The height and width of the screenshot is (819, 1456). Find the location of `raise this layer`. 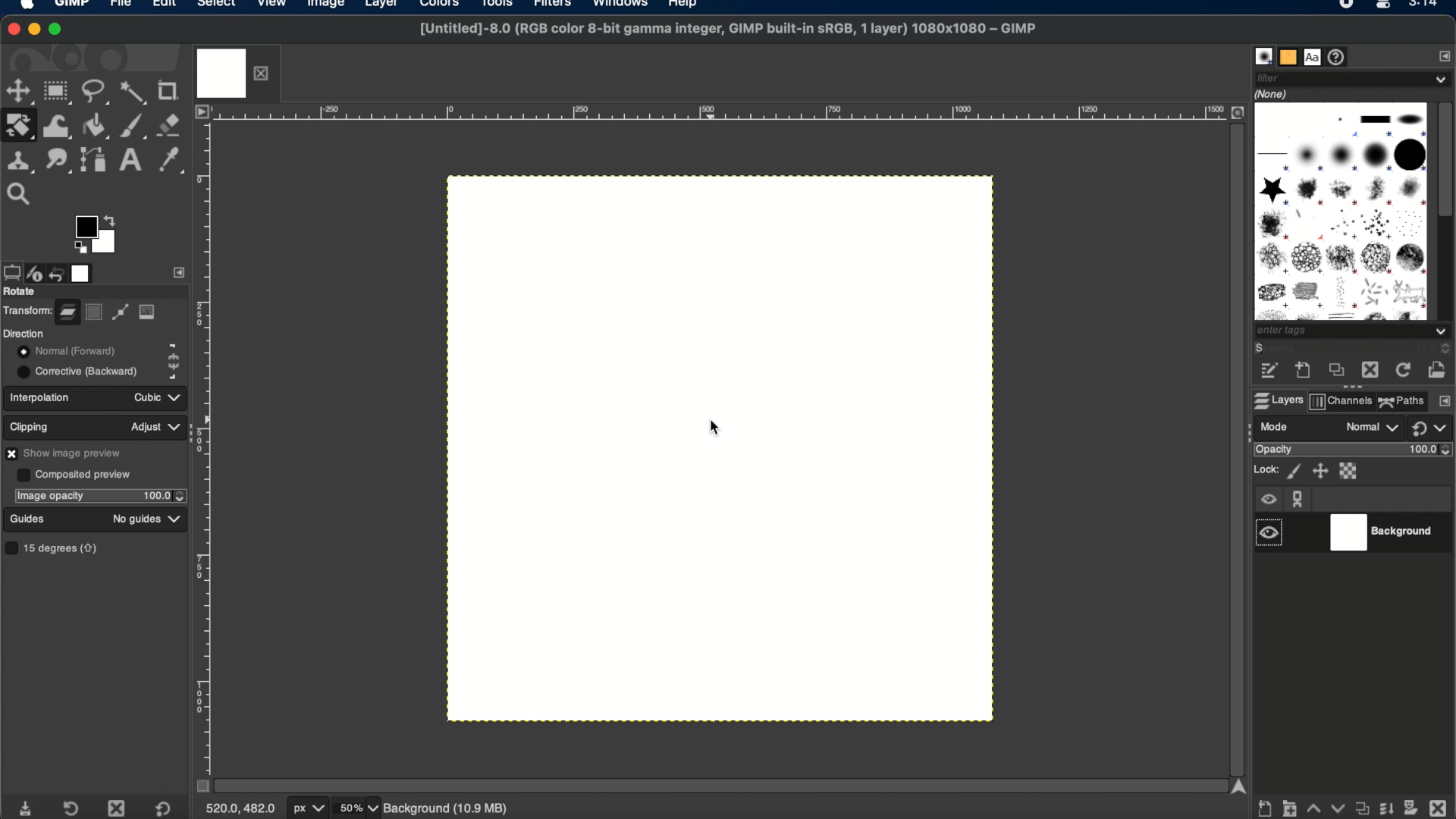

raise this layer is located at coordinates (1313, 805).